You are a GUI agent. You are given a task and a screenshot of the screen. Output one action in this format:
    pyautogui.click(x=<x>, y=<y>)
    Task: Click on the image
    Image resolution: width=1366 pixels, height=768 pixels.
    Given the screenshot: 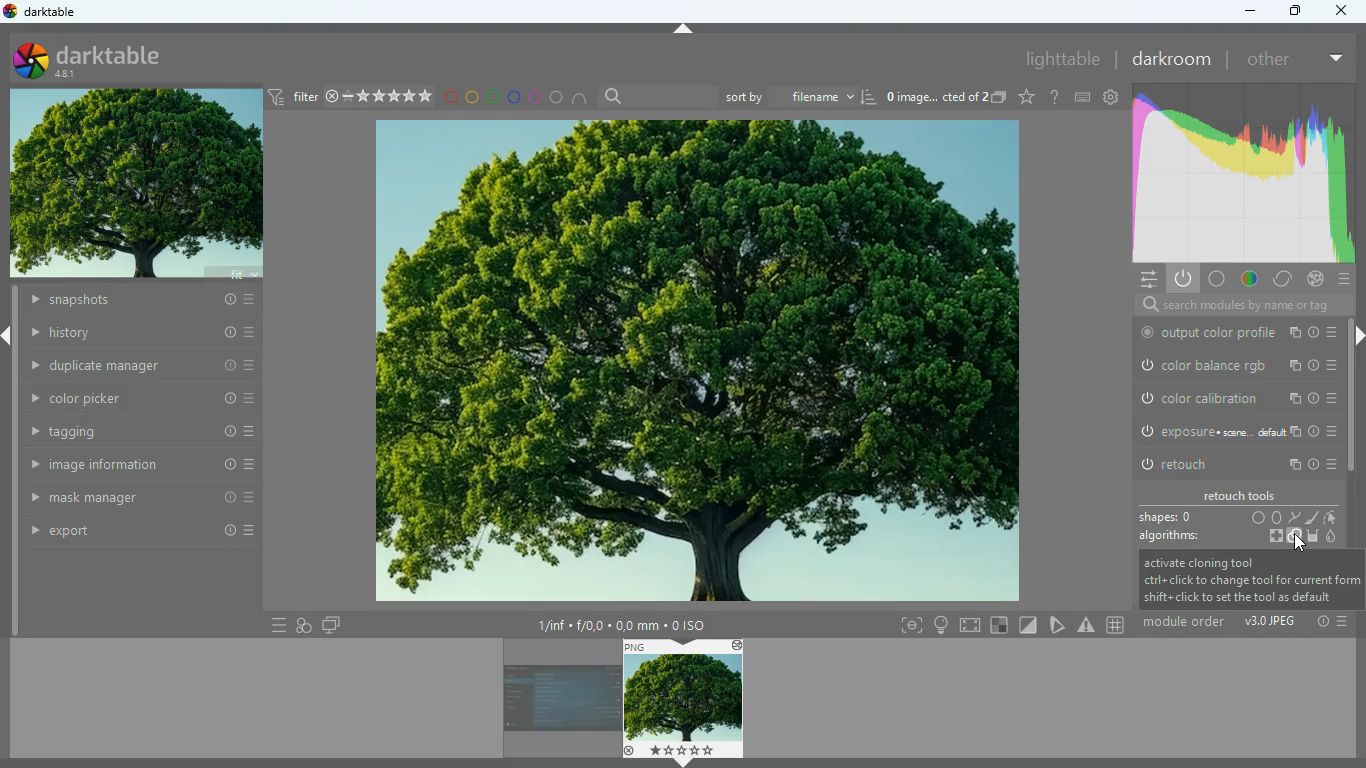 What is the action you would take?
    pyautogui.click(x=692, y=359)
    